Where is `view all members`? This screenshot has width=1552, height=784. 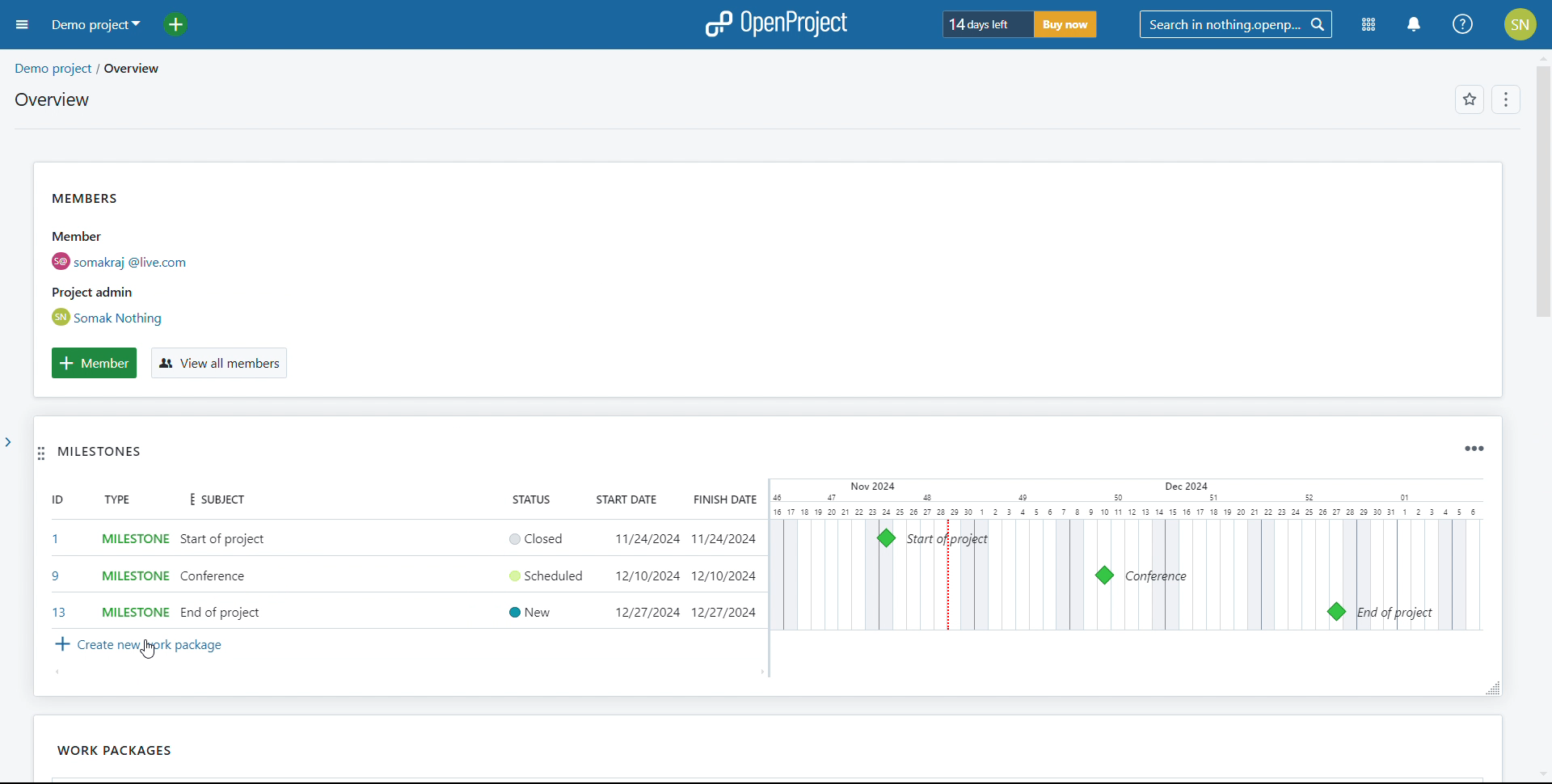 view all members is located at coordinates (217, 364).